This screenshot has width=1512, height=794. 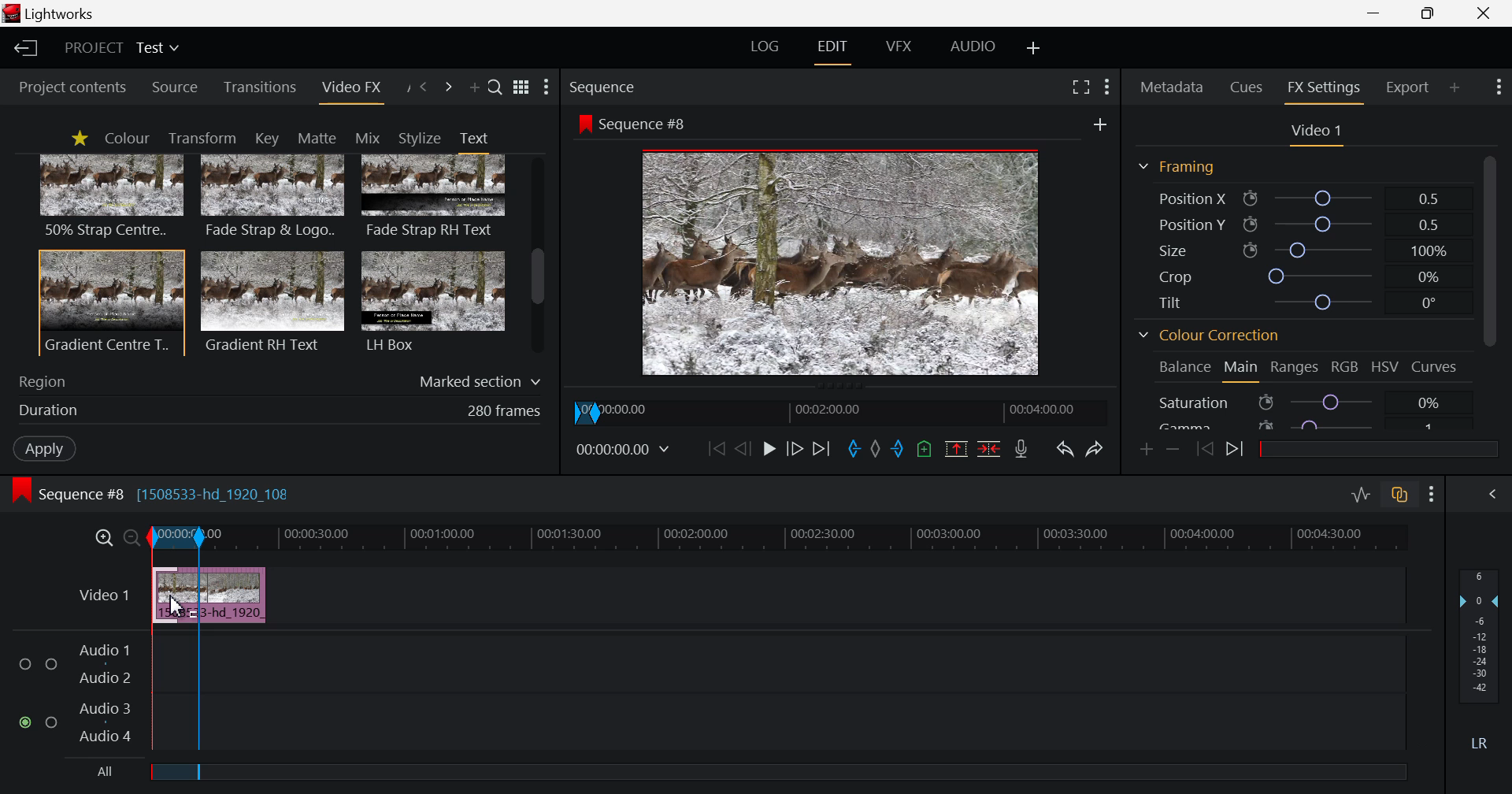 What do you see at coordinates (269, 301) in the screenshot?
I see `Gradient RH Text` at bounding box center [269, 301].